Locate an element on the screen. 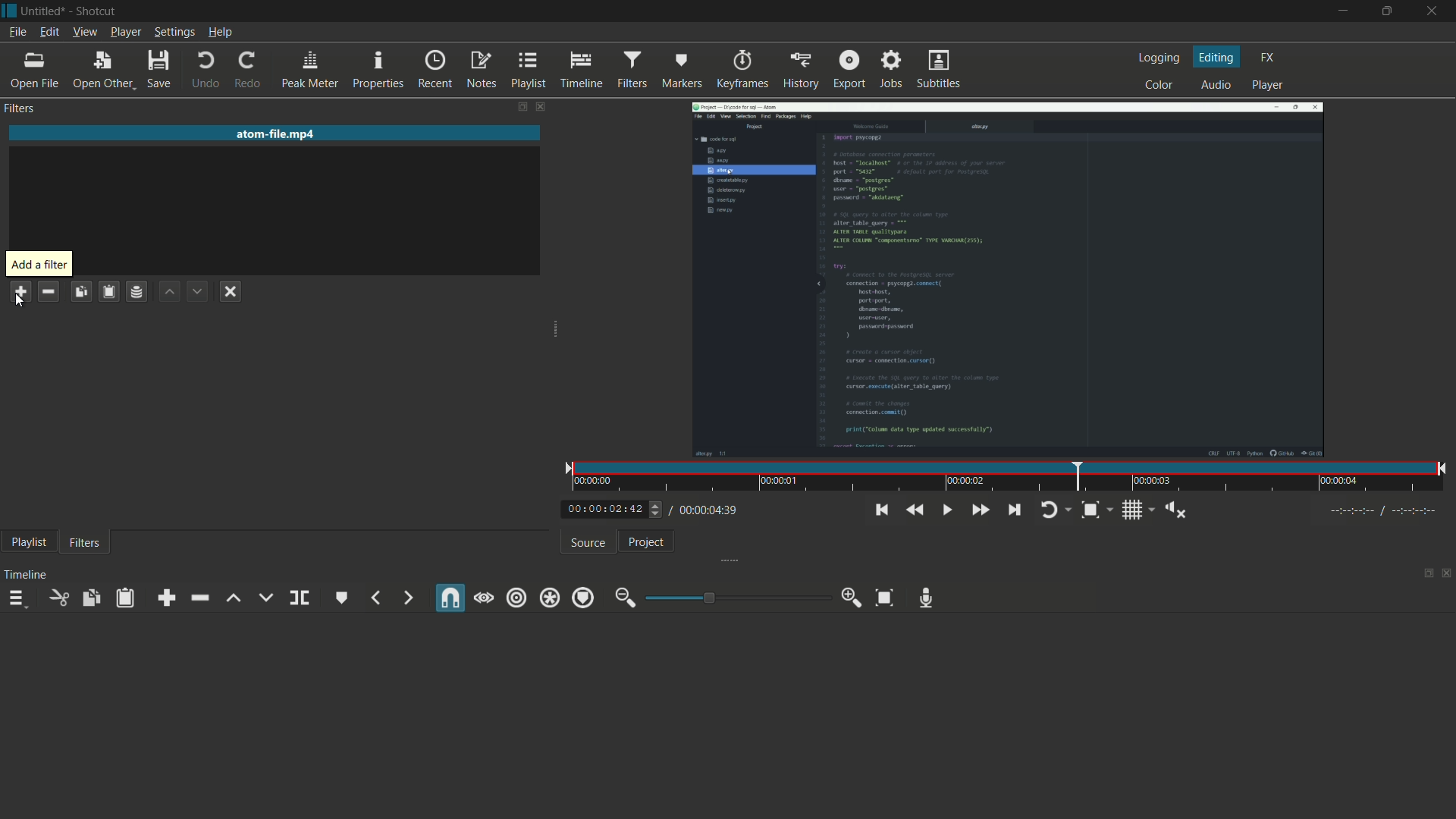 The image size is (1456, 819). toggle buttons is located at coordinates (657, 511).